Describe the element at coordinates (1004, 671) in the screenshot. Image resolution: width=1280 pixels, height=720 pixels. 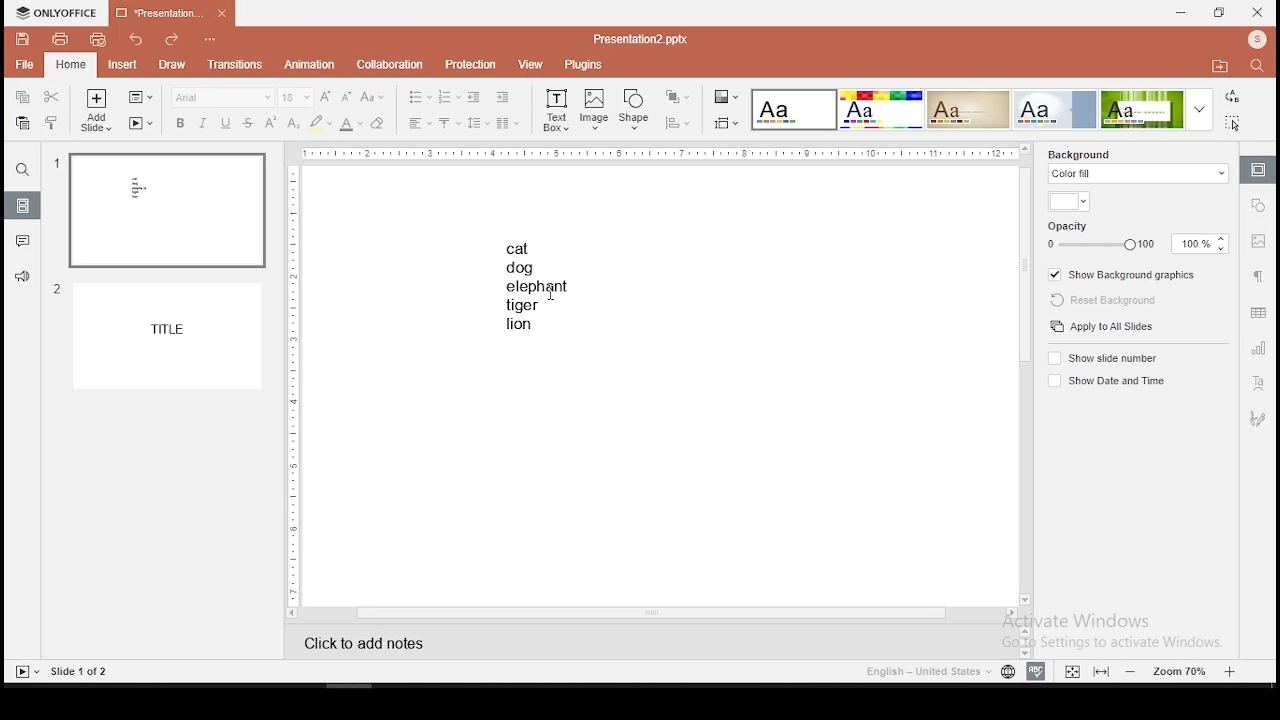
I see `language` at that location.